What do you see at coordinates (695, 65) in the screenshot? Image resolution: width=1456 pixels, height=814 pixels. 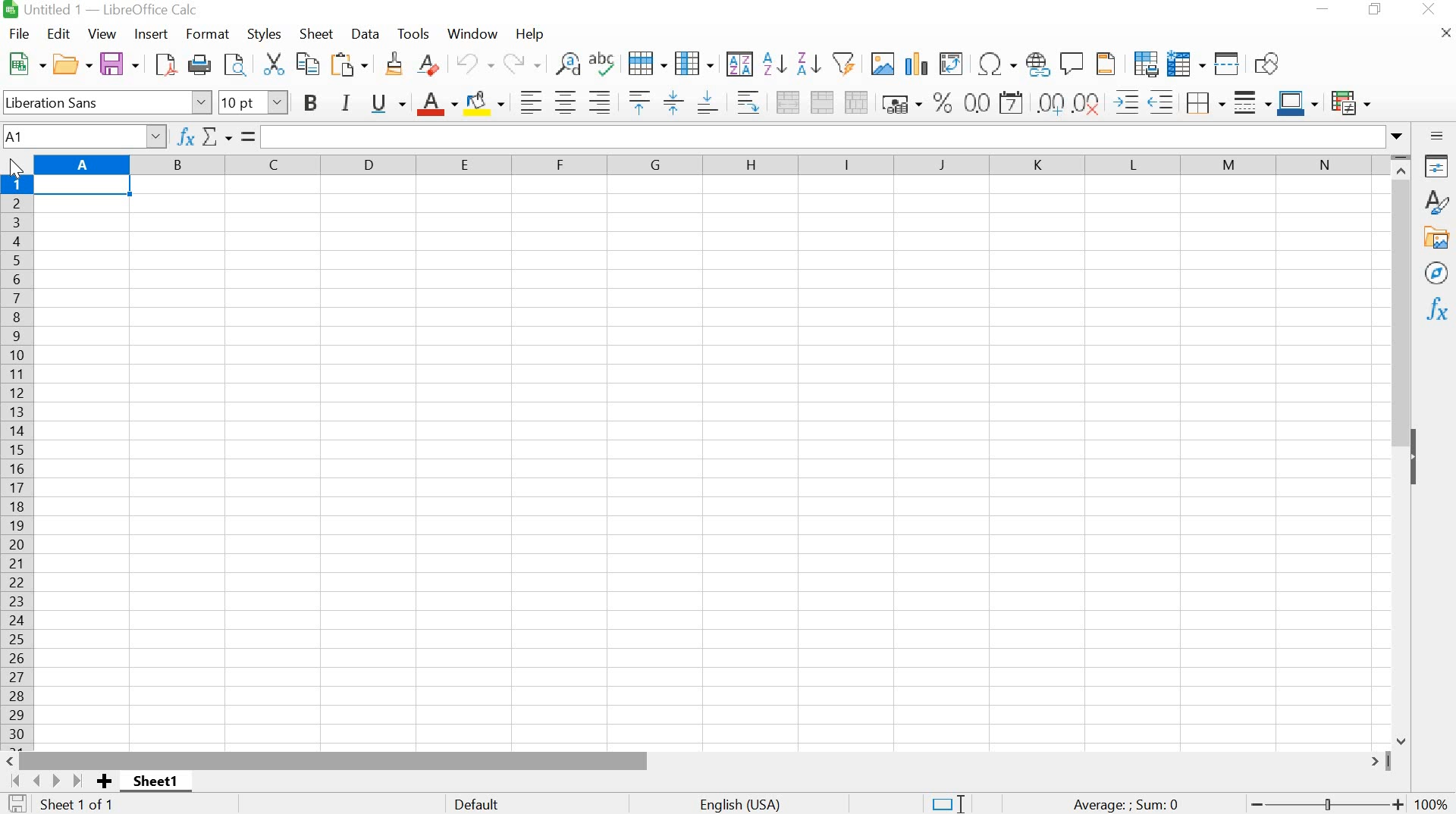 I see `Column` at bounding box center [695, 65].